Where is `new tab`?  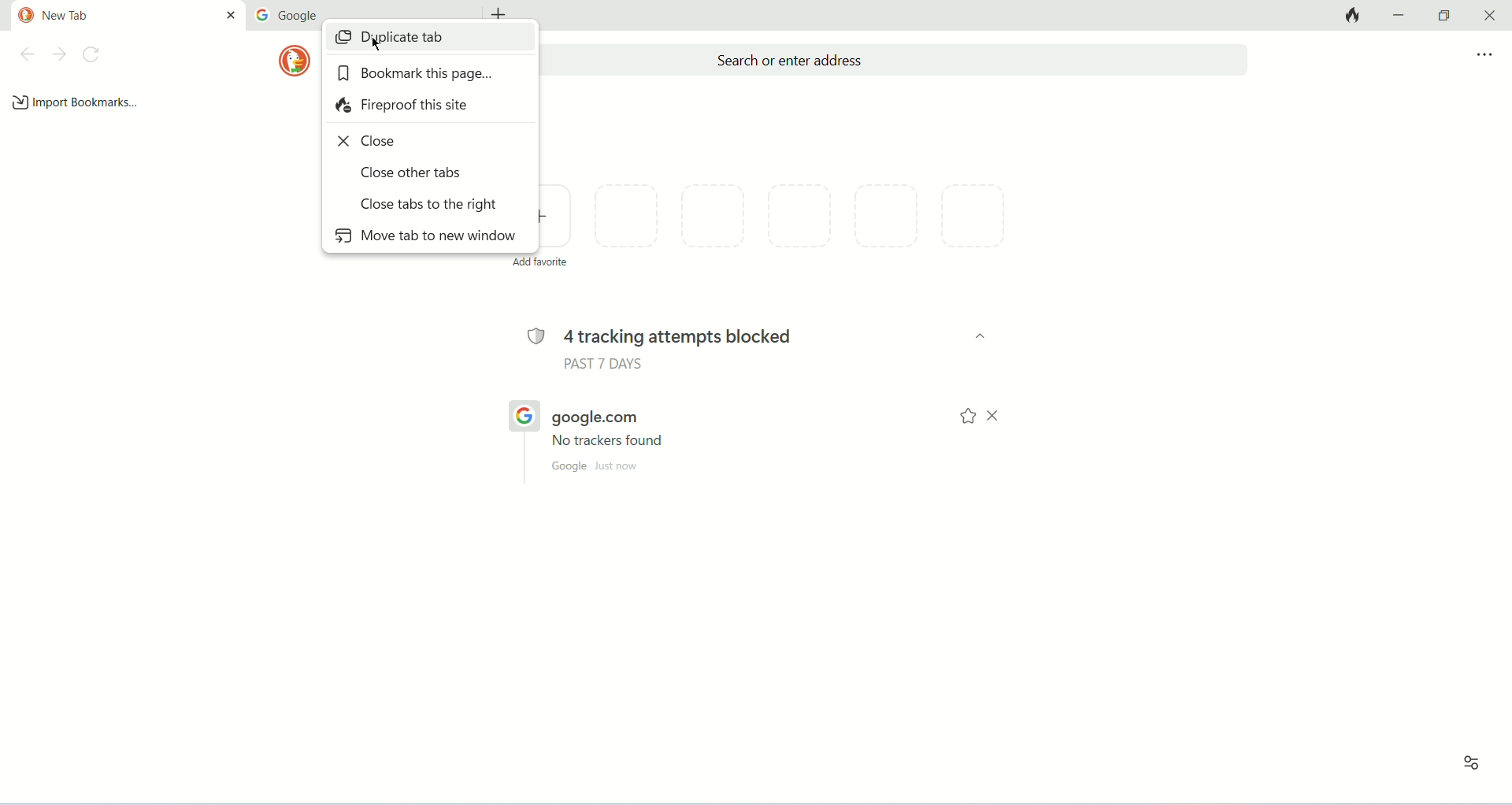
new tab is located at coordinates (502, 12).